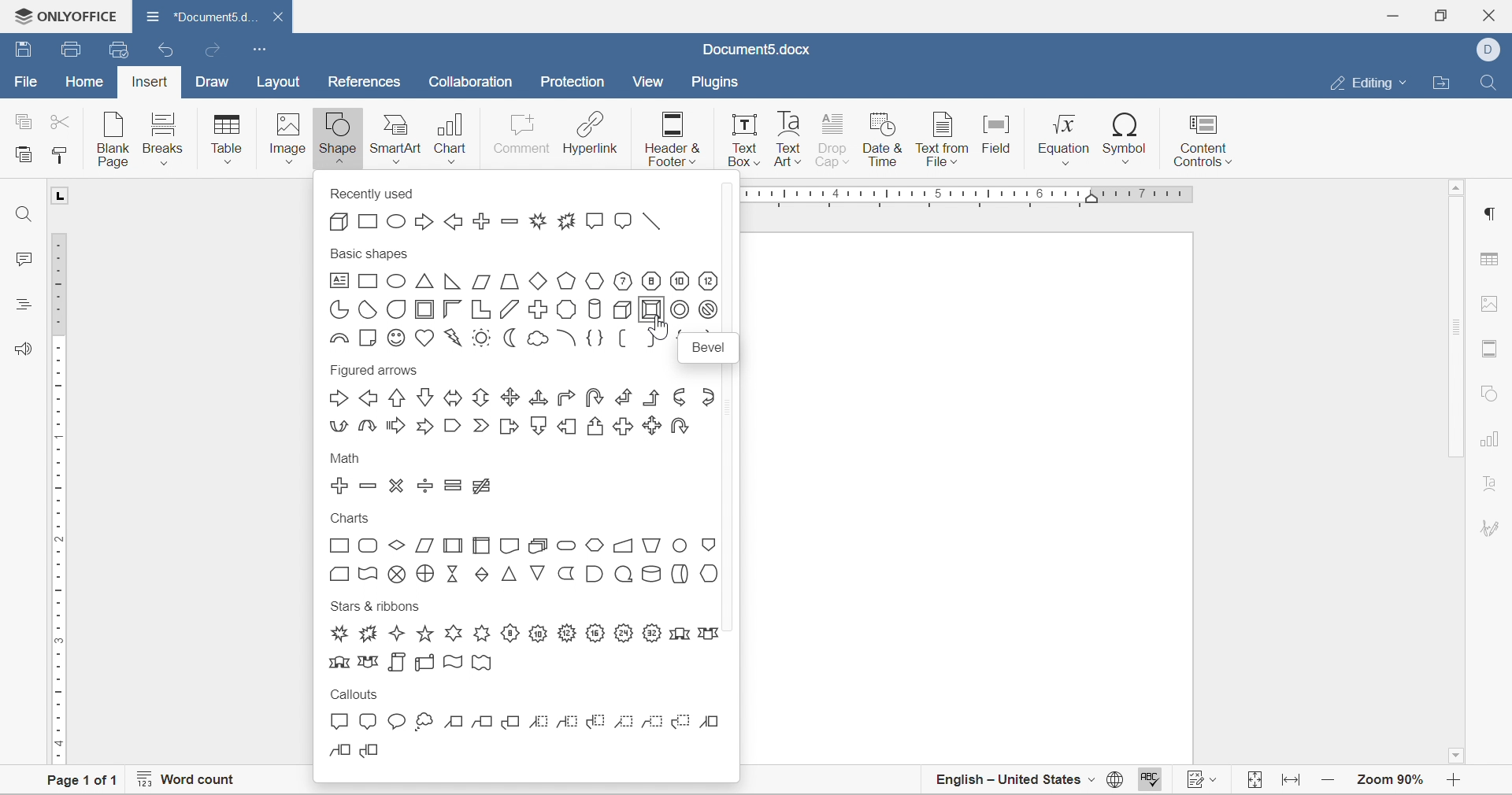  Describe the element at coordinates (1124, 140) in the screenshot. I see `symbol` at that location.